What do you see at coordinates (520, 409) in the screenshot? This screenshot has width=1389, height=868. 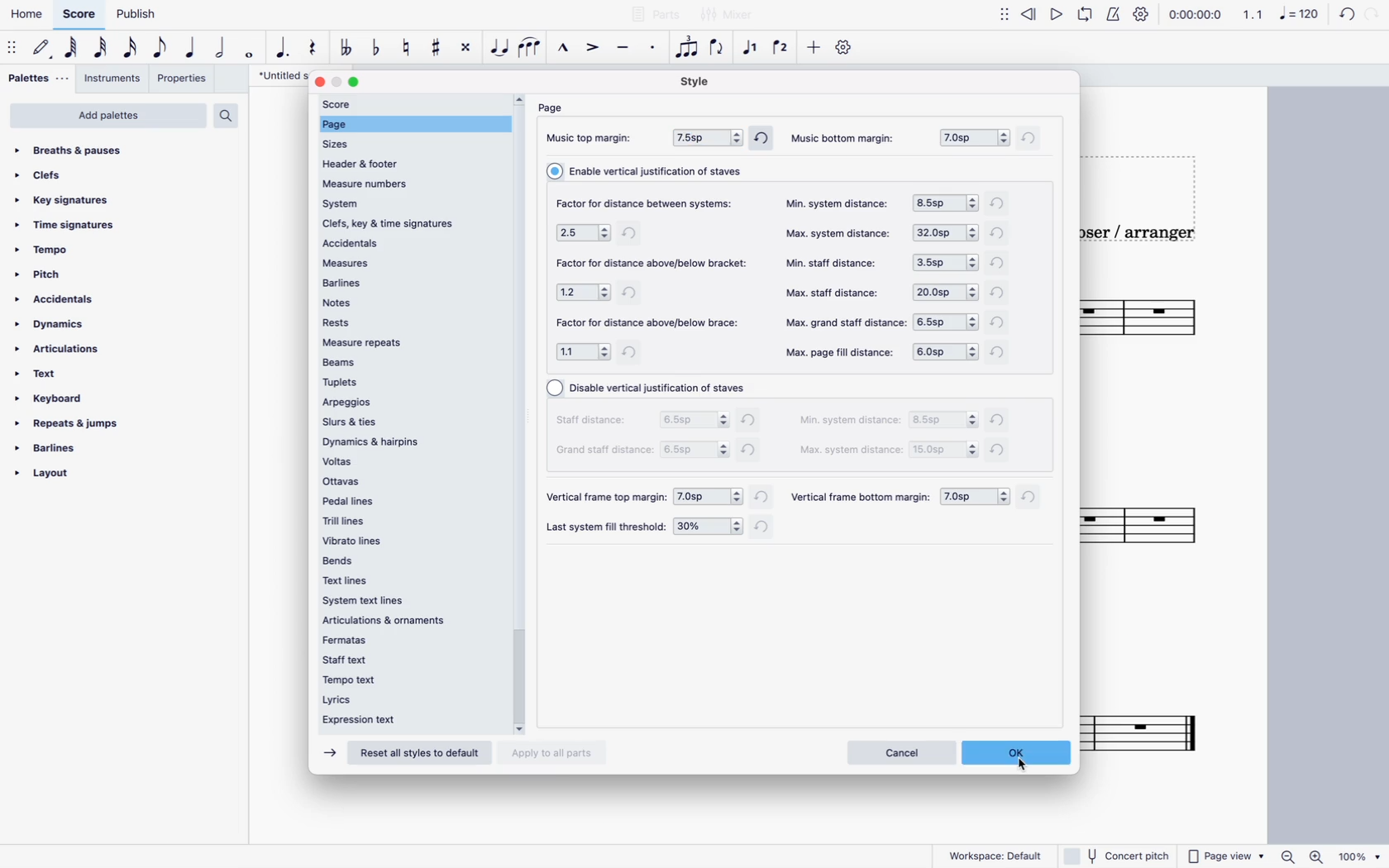 I see `scroll bar` at bounding box center [520, 409].